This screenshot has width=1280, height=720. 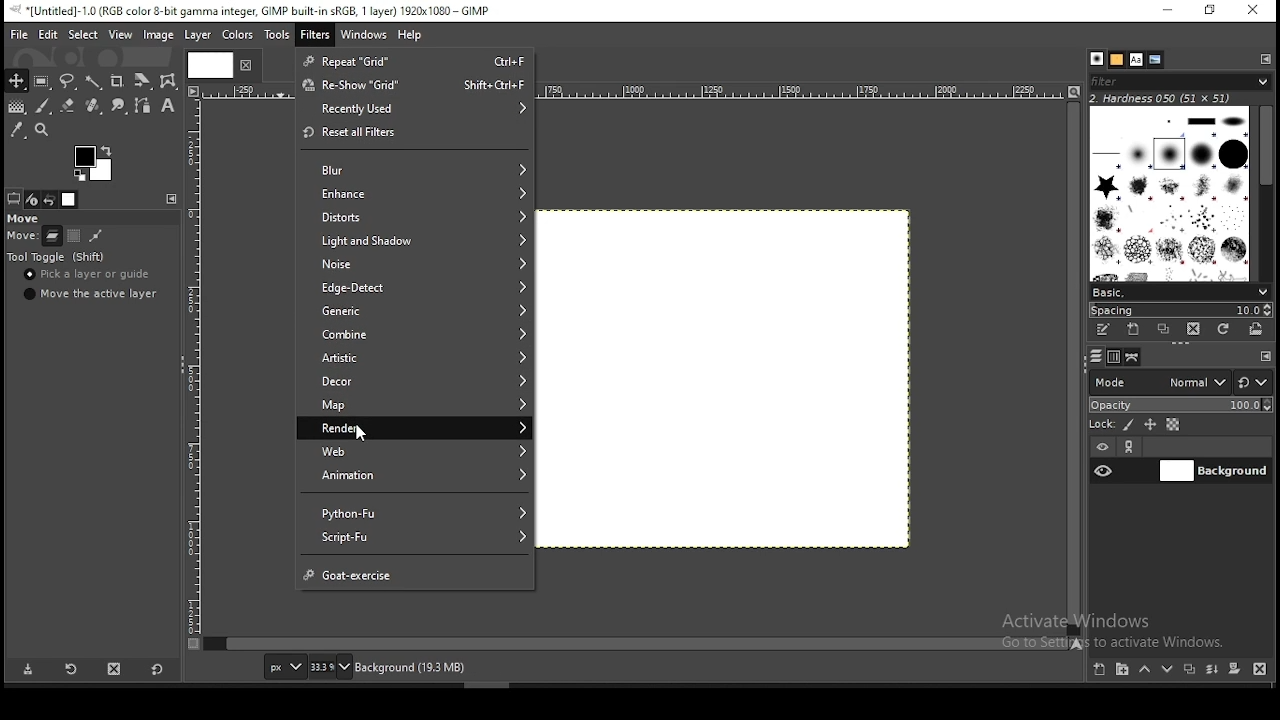 I want to click on file, so click(x=19, y=34).